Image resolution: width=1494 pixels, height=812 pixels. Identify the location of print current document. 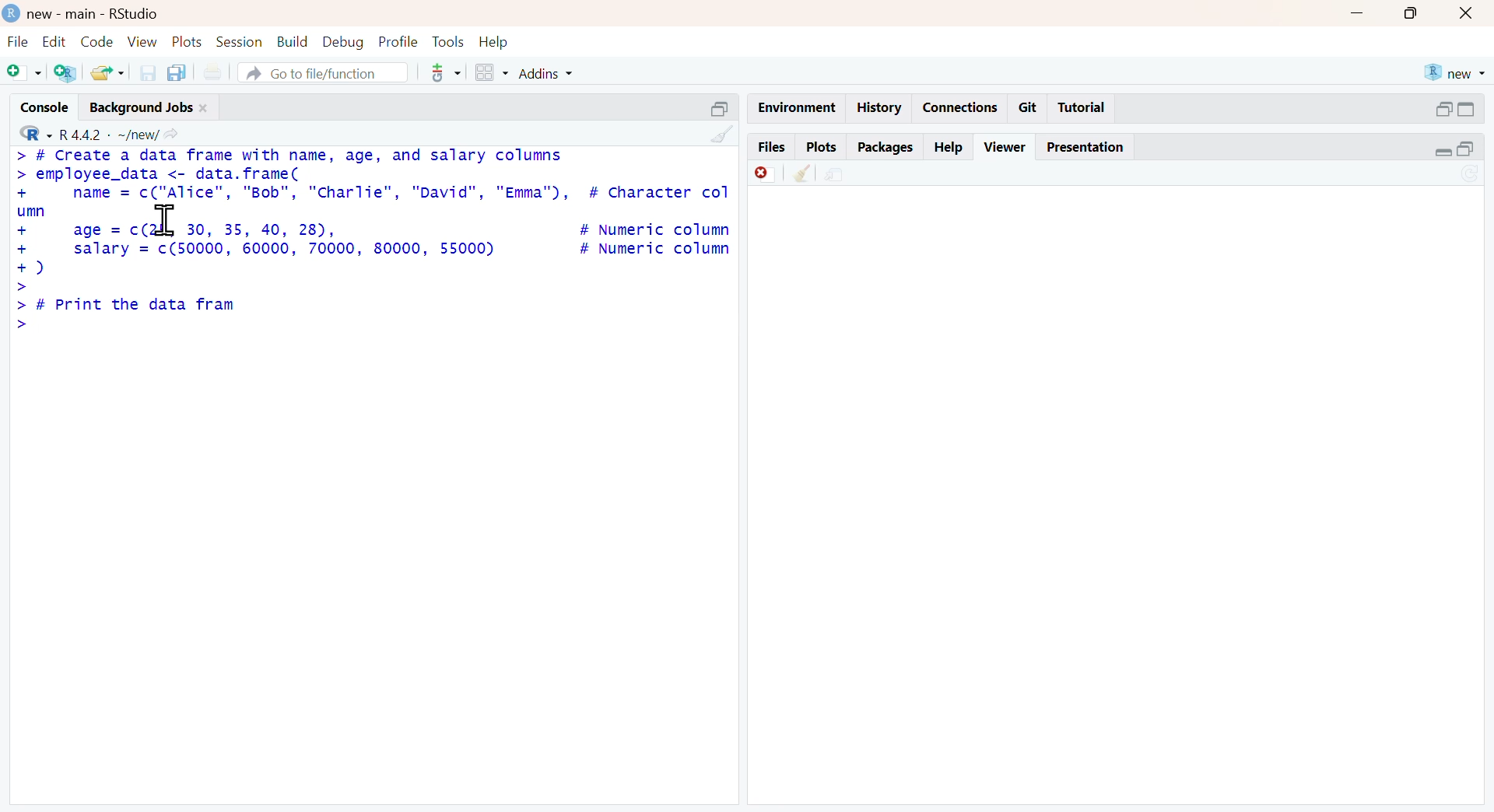
(220, 72).